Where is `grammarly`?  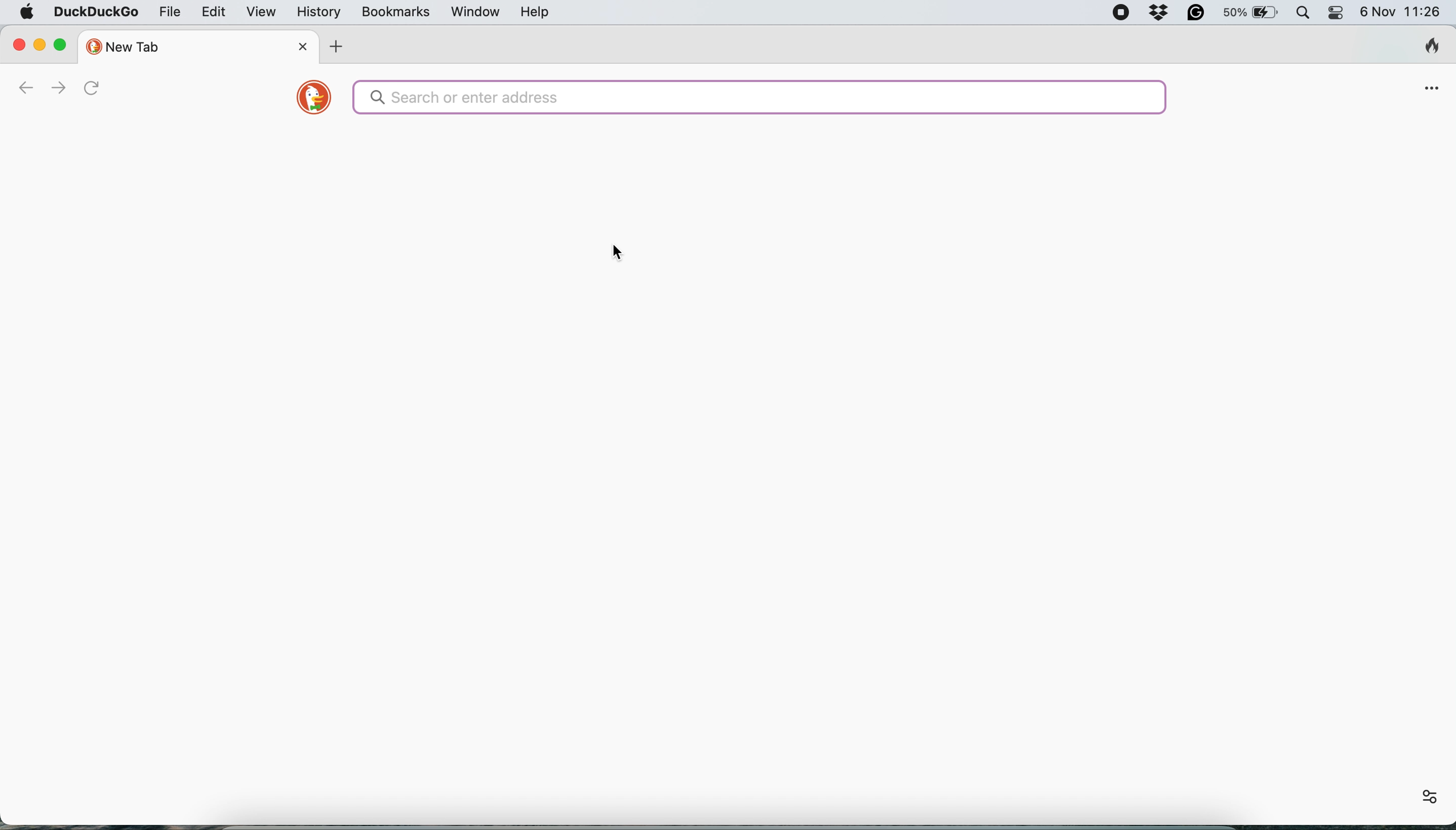
grammarly is located at coordinates (1190, 14).